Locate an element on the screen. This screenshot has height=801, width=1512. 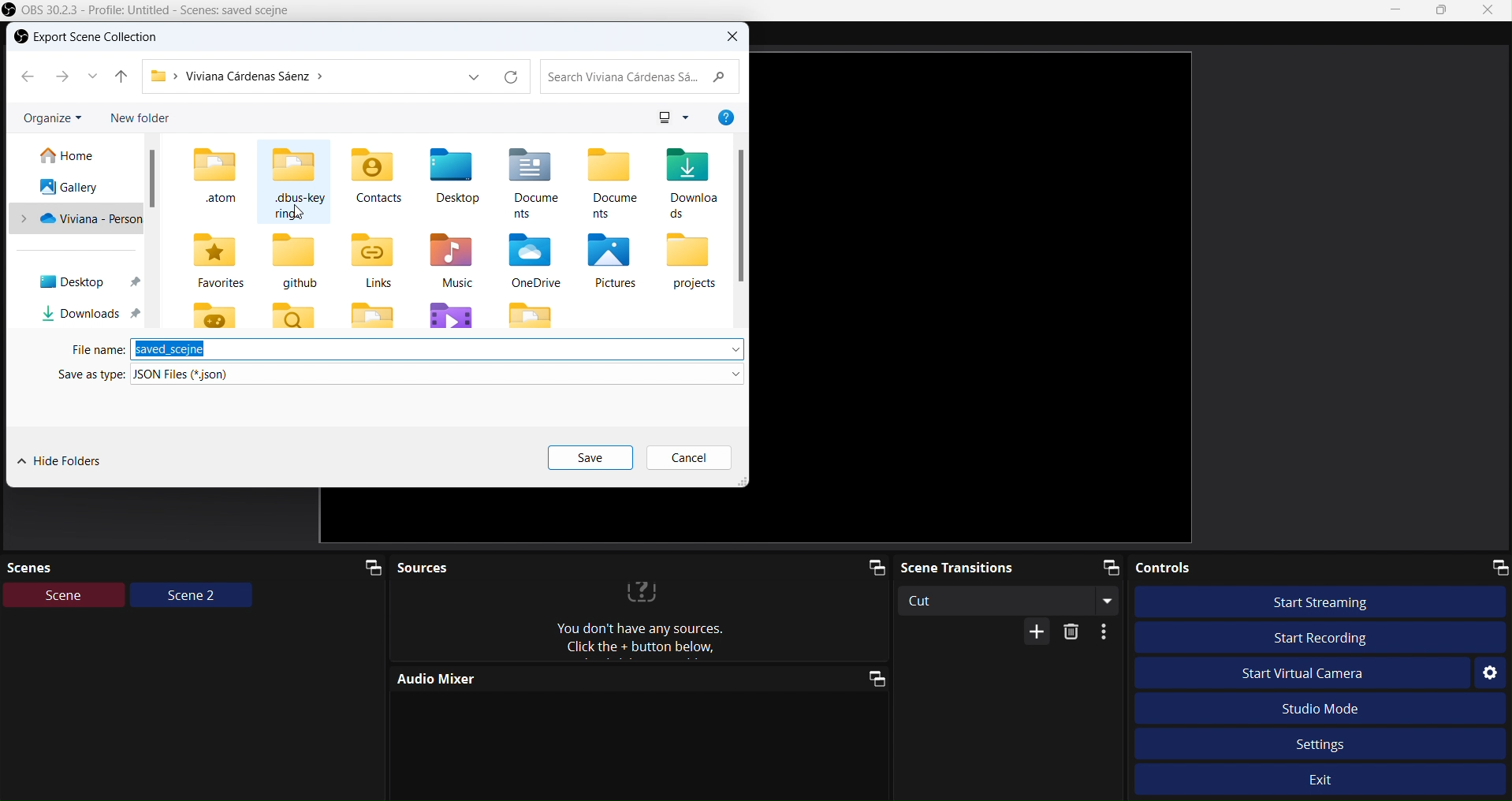
Help is located at coordinates (726, 117).